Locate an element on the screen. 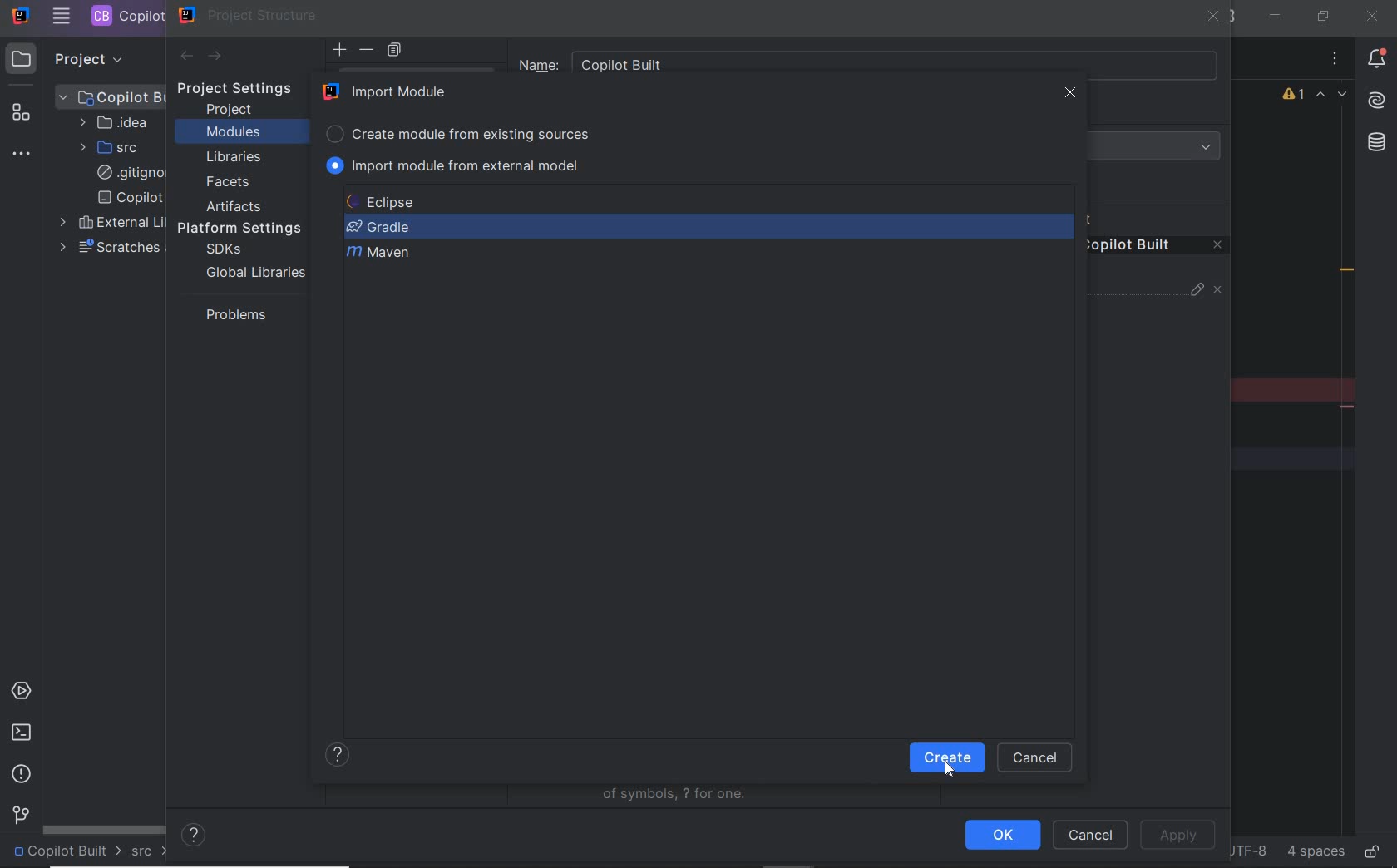  global libraries is located at coordinates (253, 272).